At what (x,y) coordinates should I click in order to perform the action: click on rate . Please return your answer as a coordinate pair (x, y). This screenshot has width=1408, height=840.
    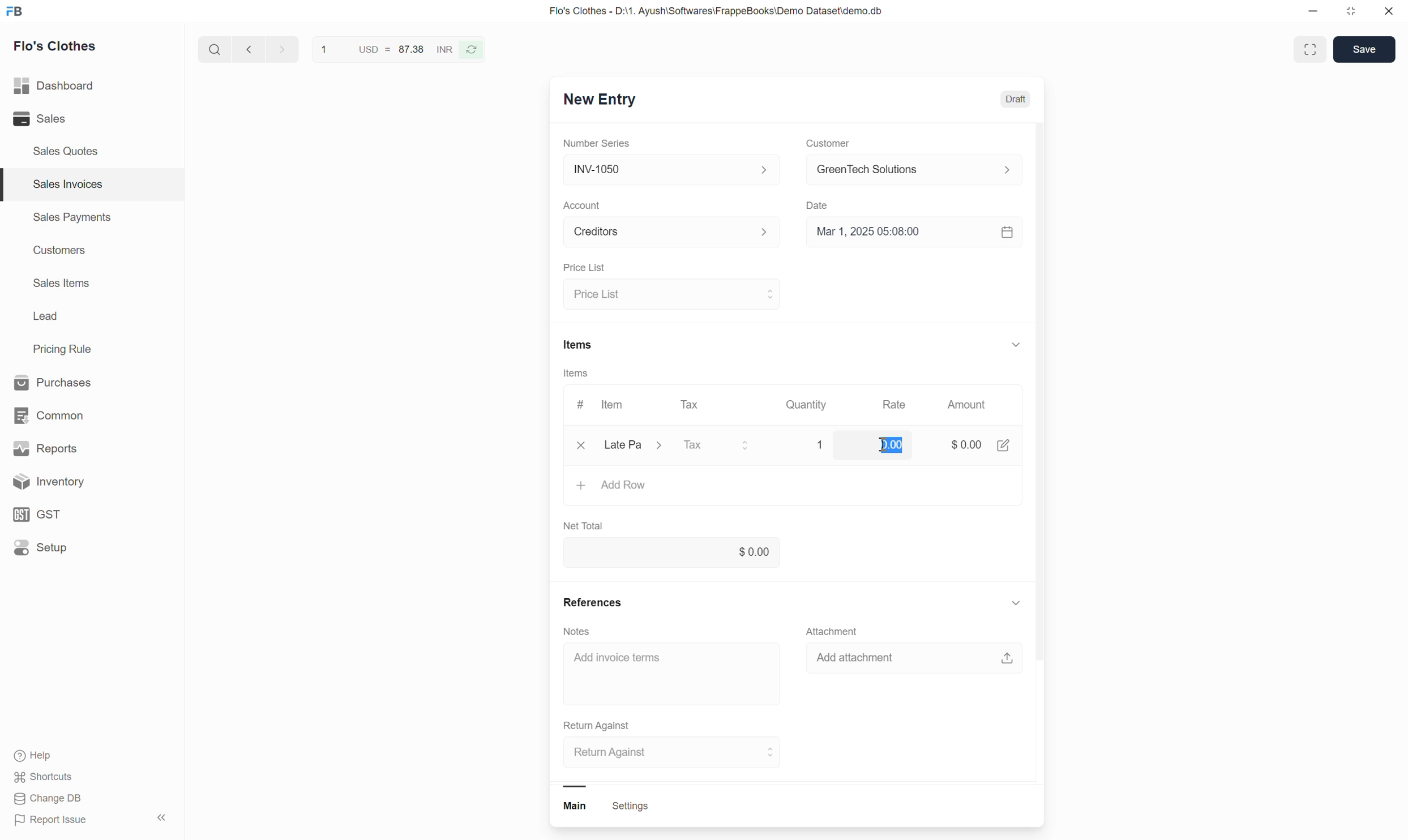
    Looking at the image, I should click on (883, 444).